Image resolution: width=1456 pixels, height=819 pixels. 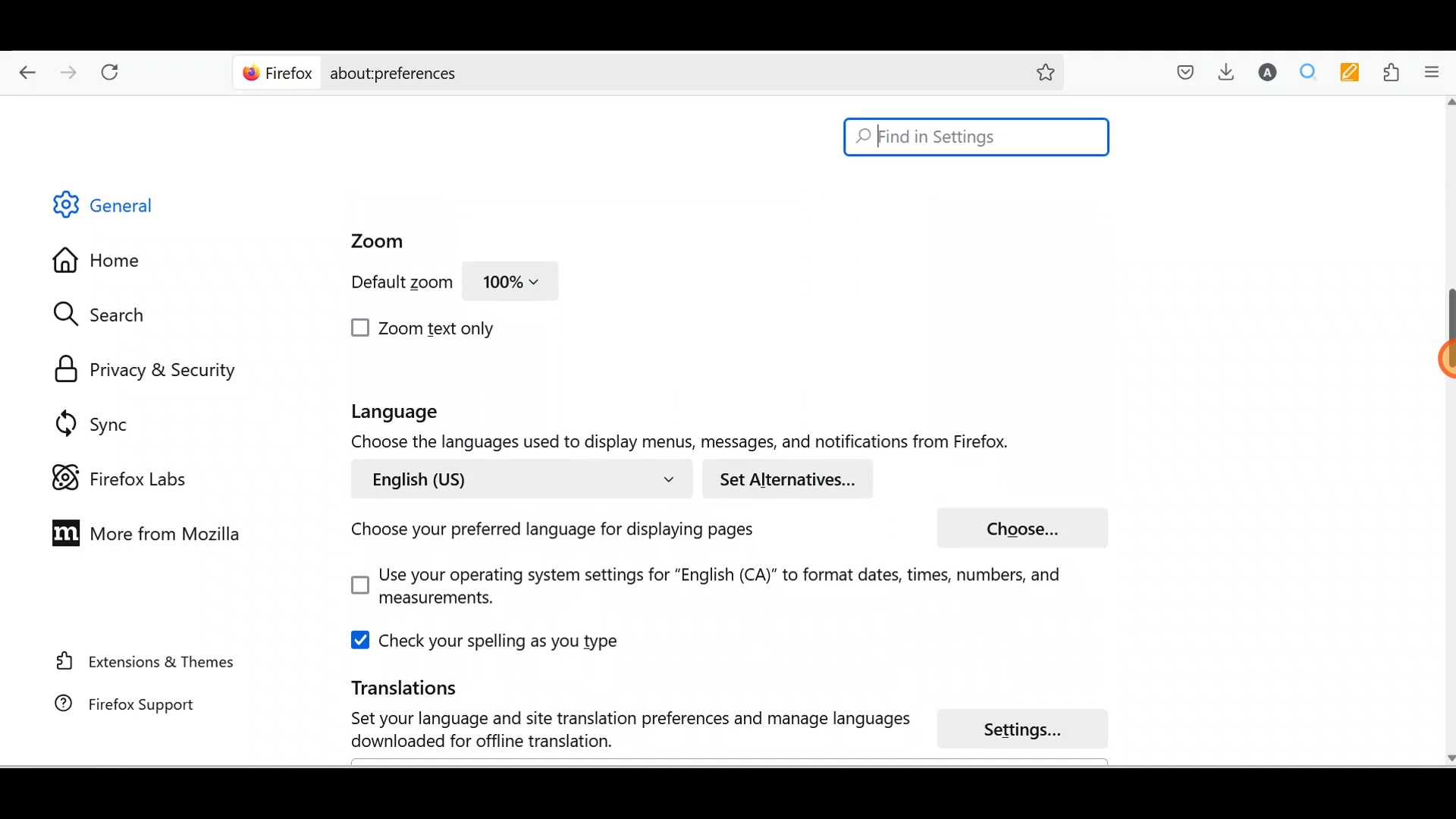 I want to click on Find in Settings, so click(x=977, y=136).